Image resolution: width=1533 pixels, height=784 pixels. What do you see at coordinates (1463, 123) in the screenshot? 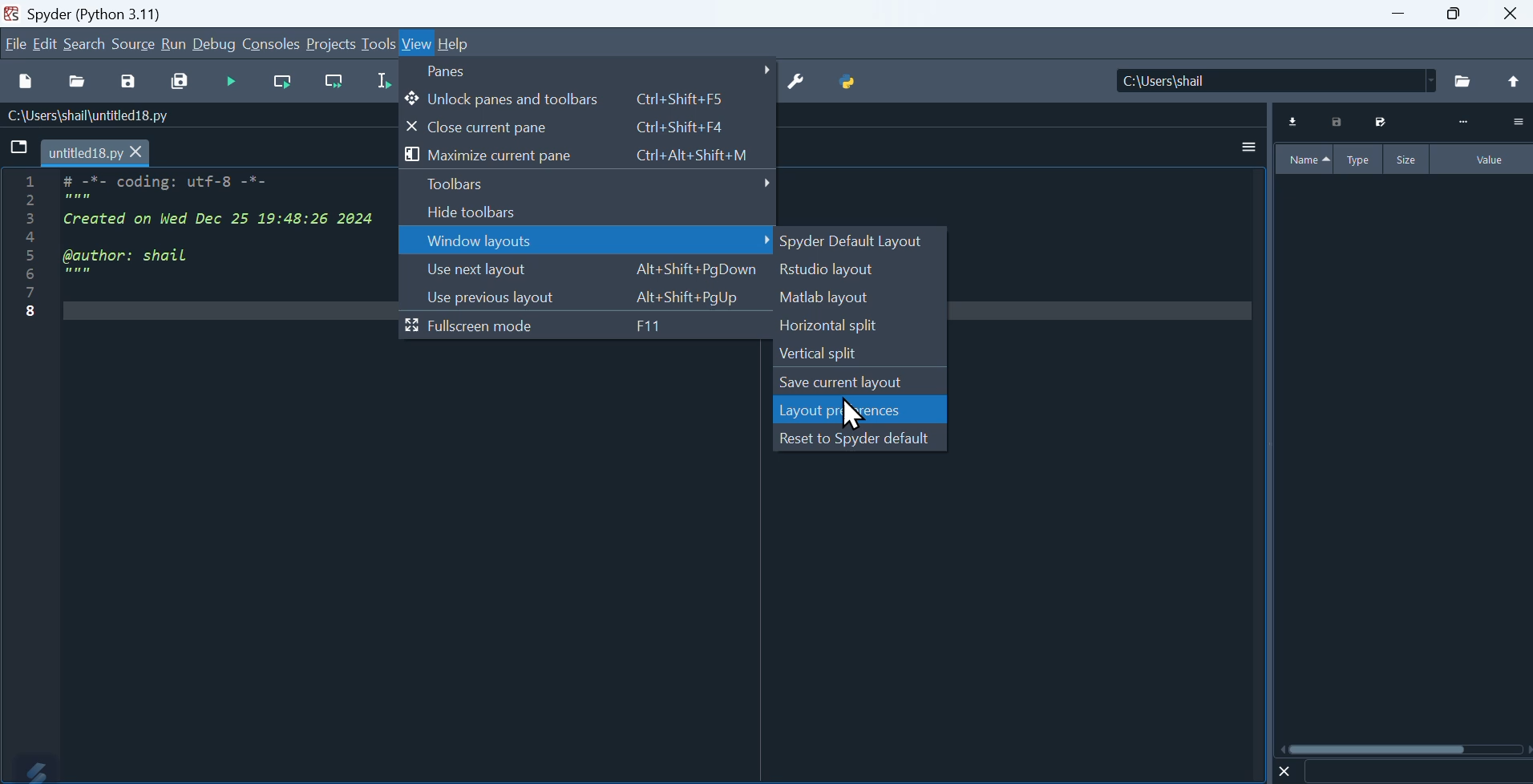
I see `More` at bounding box center [1463, 123].